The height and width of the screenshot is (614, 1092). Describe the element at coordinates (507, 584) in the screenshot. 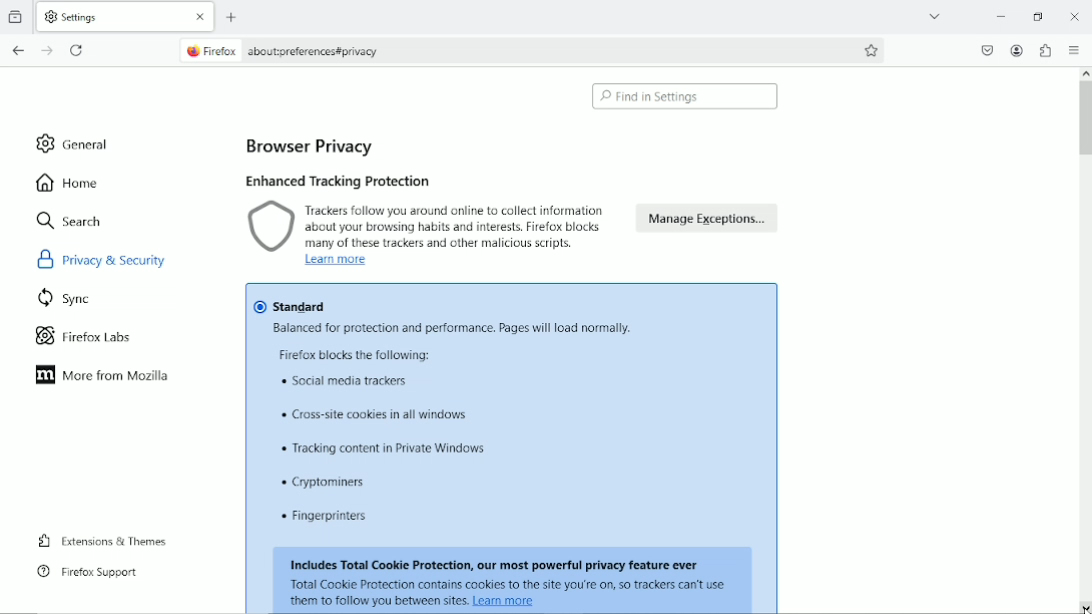

I see `text` at that location.